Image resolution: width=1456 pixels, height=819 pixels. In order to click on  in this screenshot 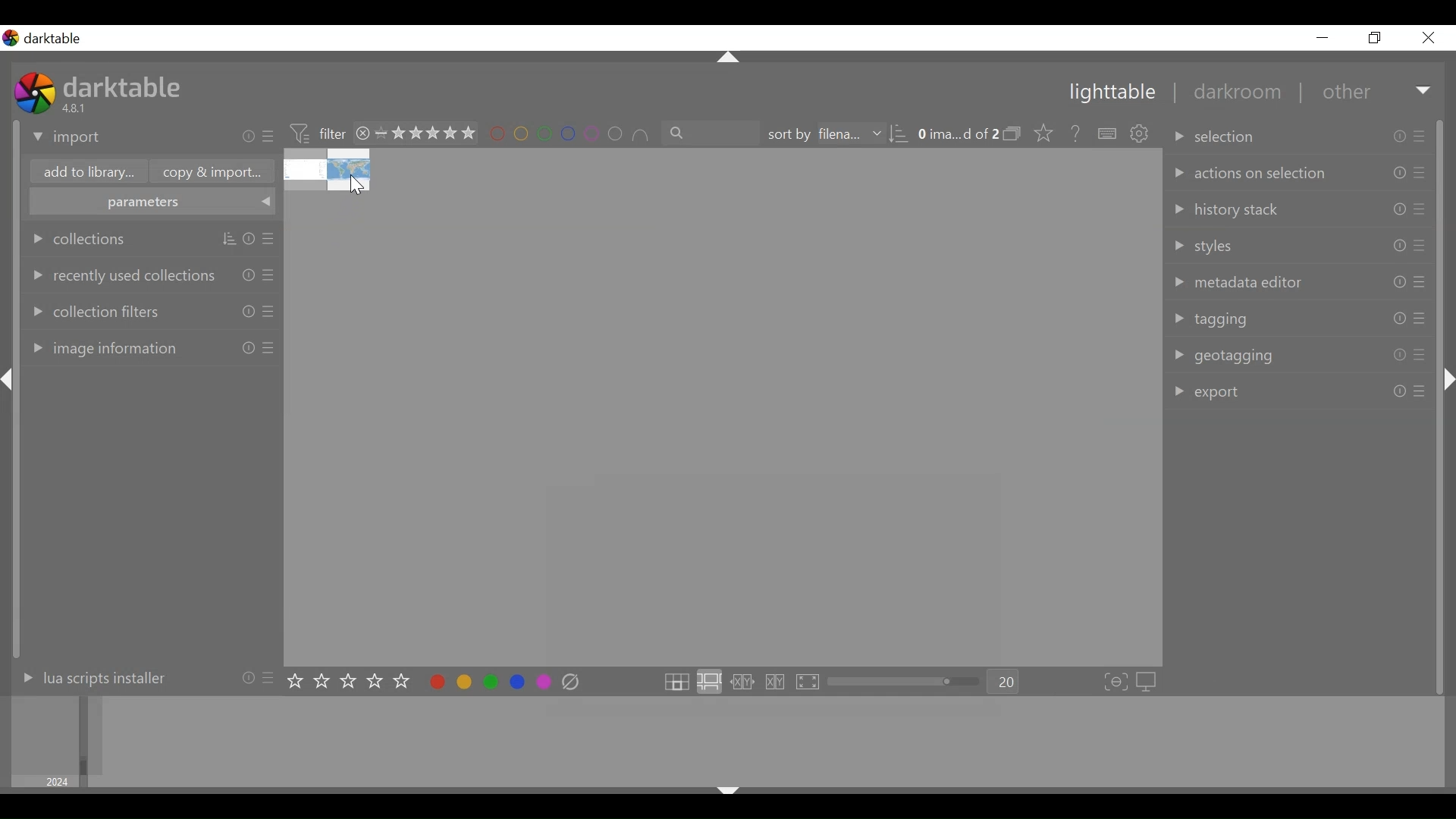, I will do `click(1376, 37)`.